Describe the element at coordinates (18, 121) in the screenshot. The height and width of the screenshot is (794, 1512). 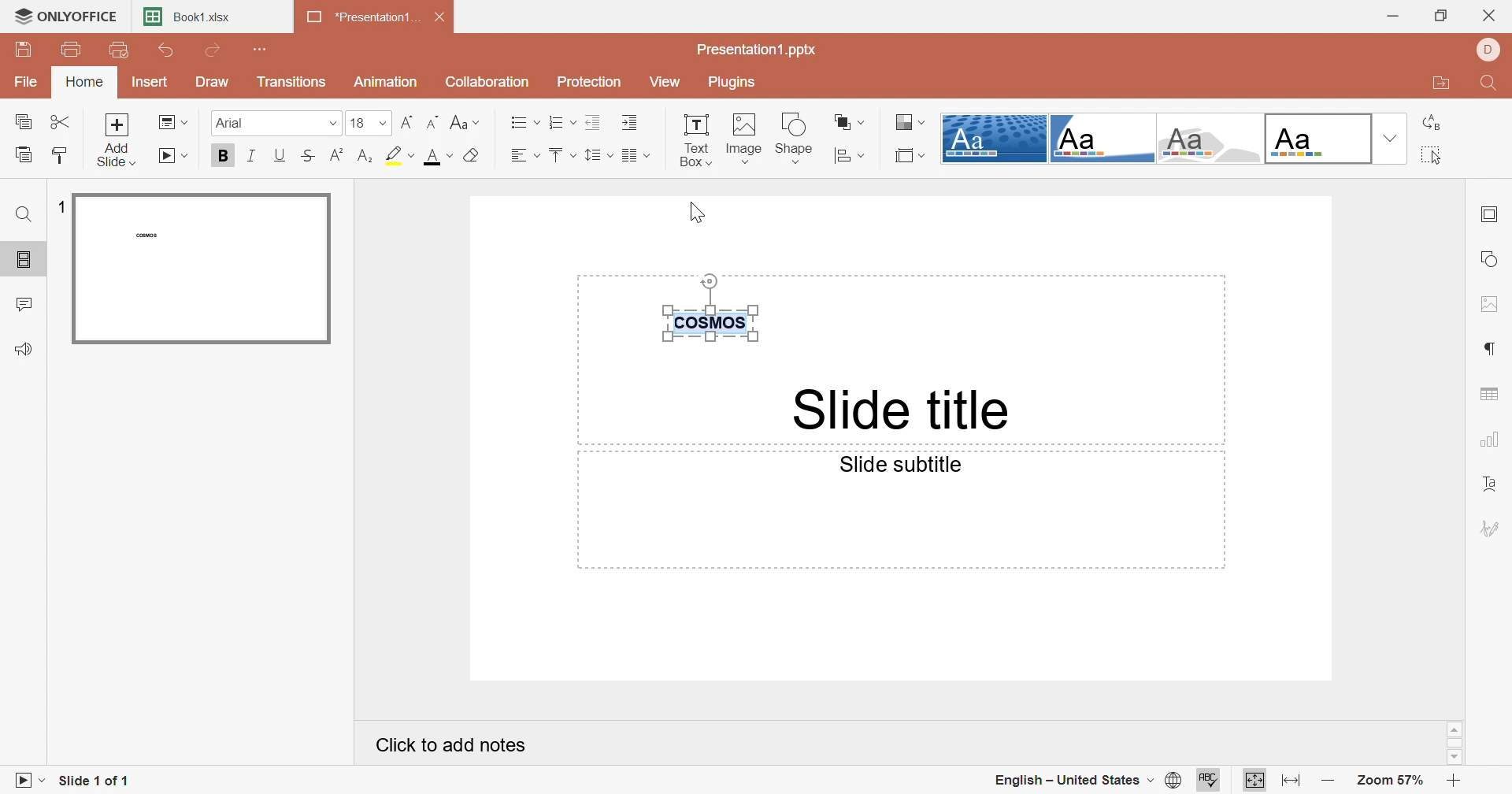
I see `Copy` at that location.